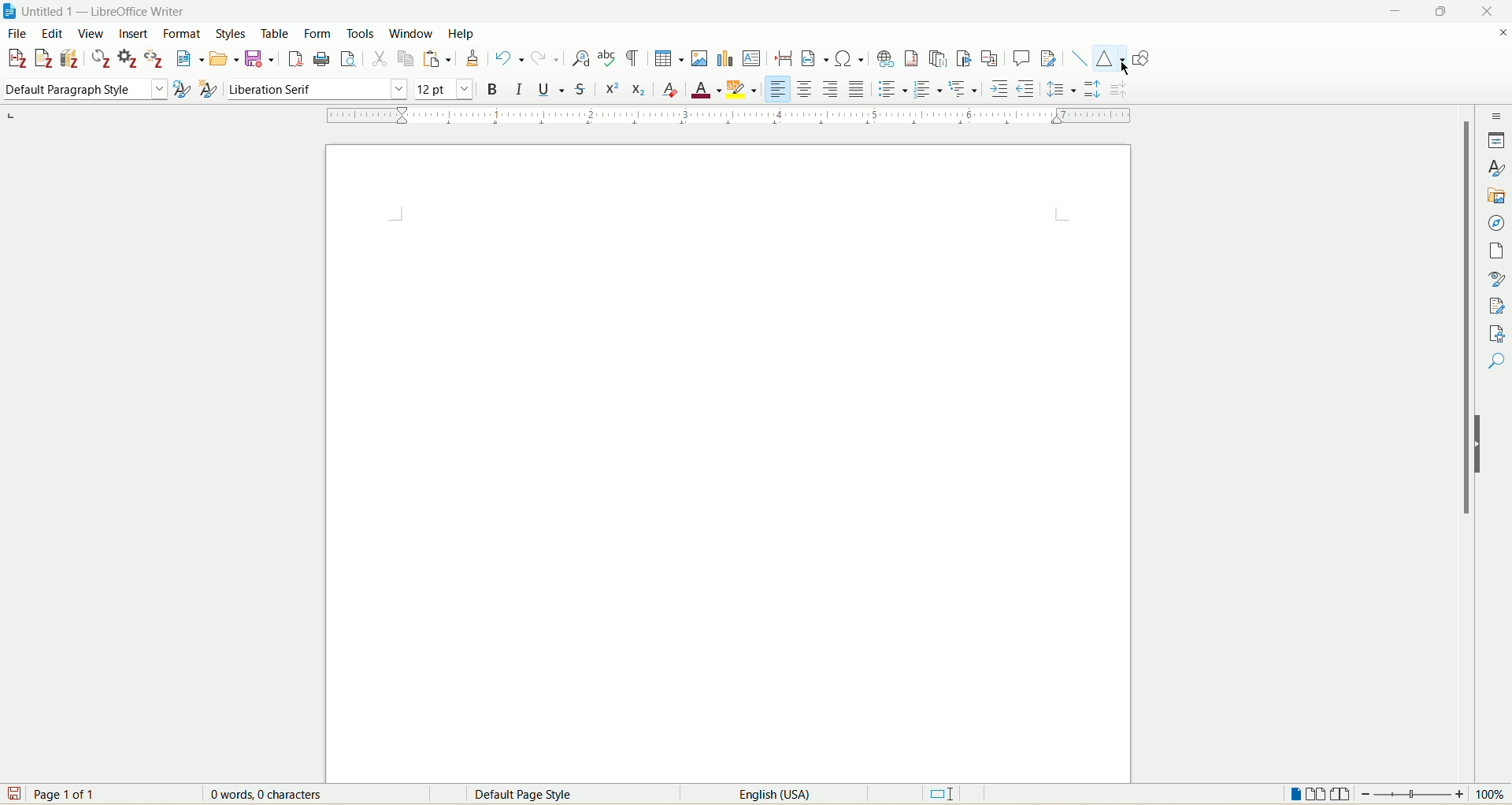  Describe the element at coordinates (406, 61) in the screenshot. I see `copy` at that location.